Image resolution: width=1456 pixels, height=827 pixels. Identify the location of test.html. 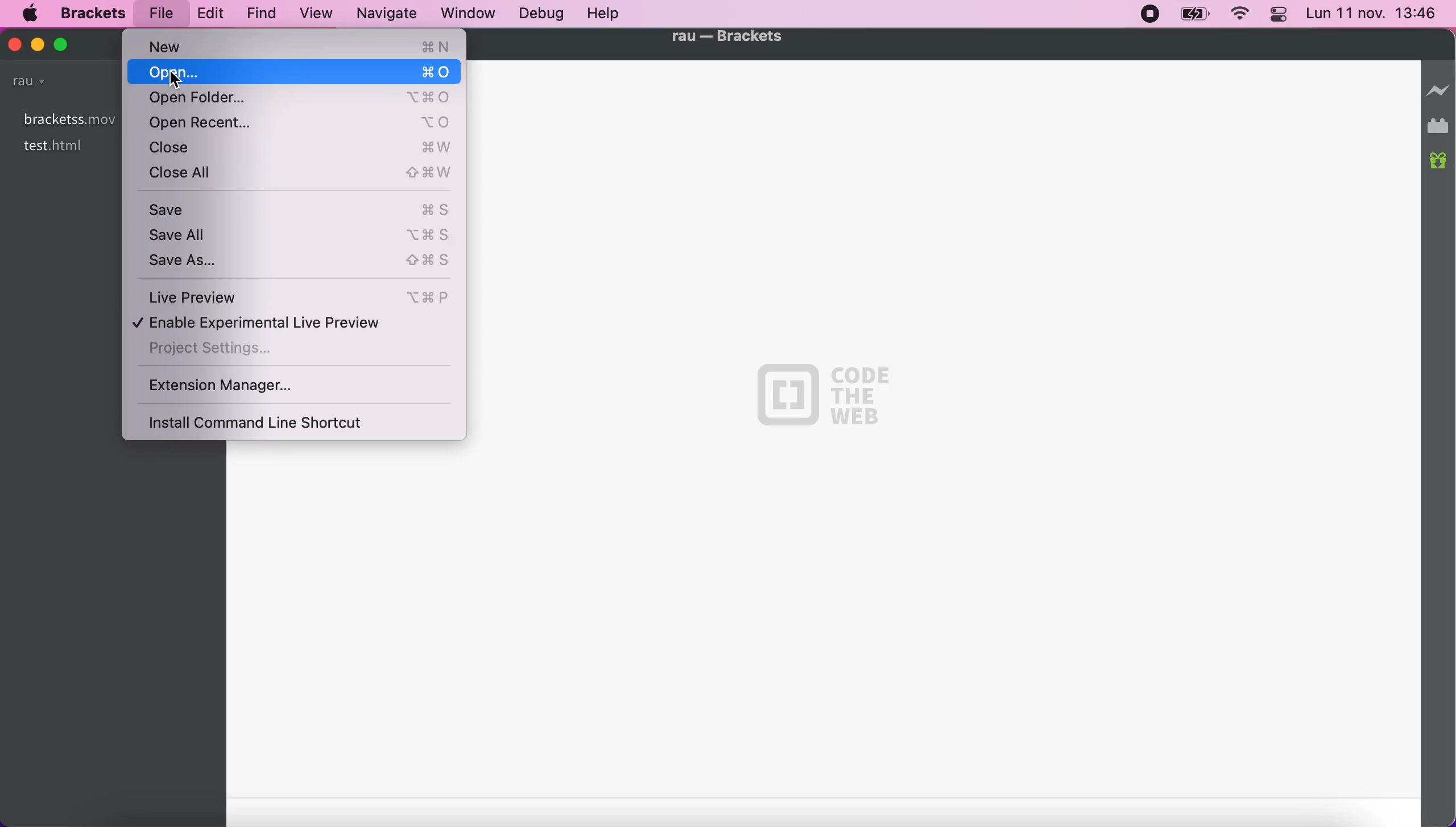
(53, 146).